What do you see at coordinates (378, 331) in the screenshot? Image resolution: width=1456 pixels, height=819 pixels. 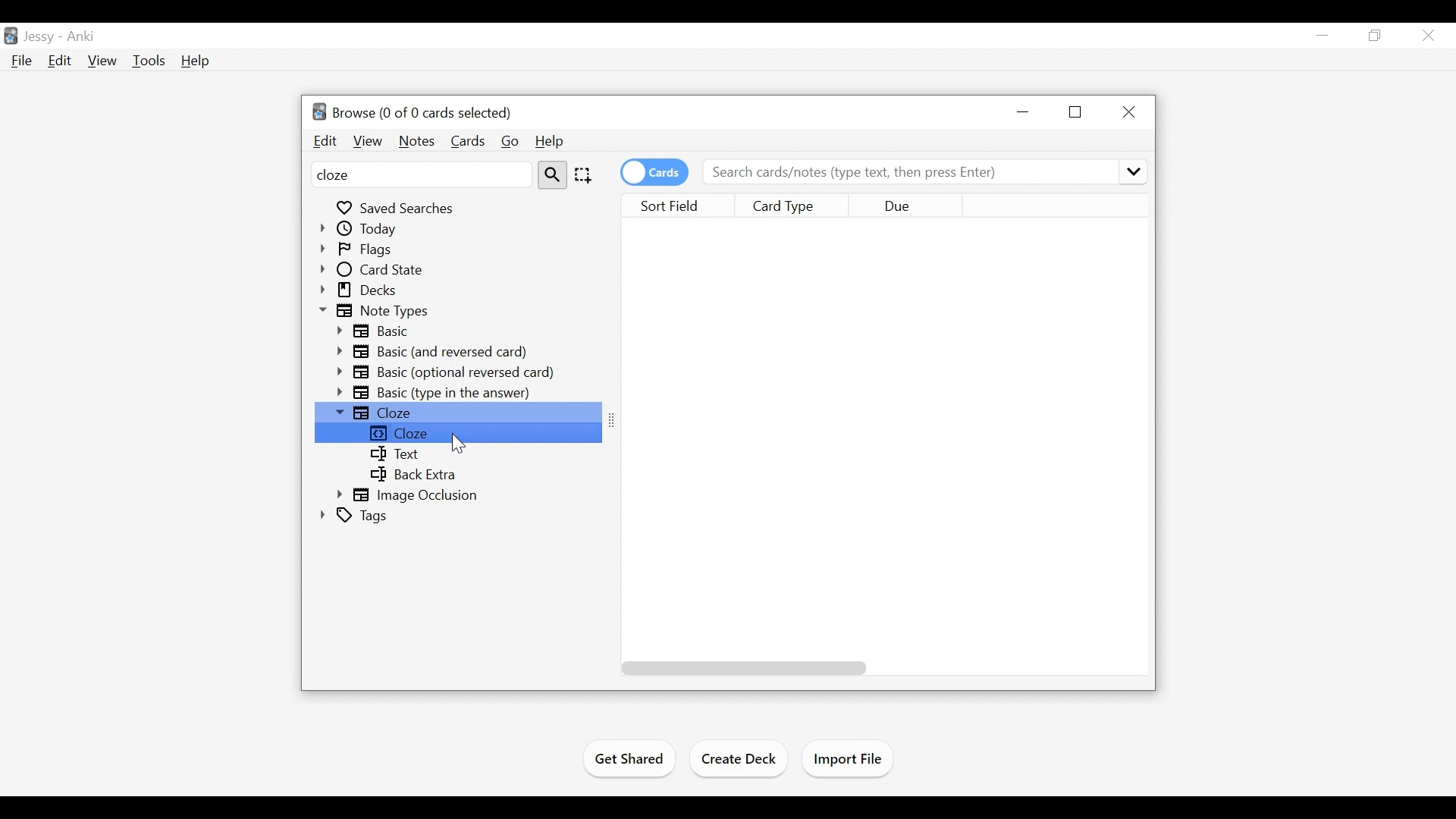 I see `Basic` at bounding box center [378, 331].